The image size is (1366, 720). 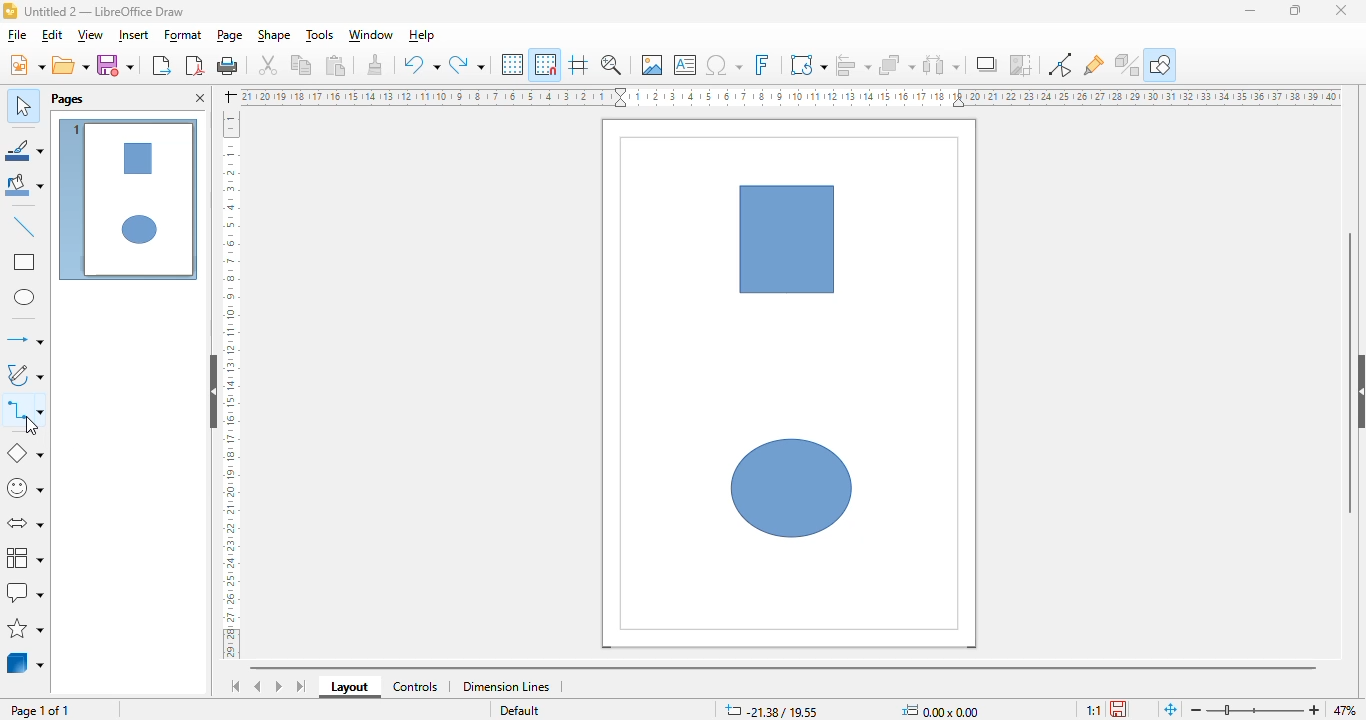 I want to click on paste, so click(x=336, y=65).